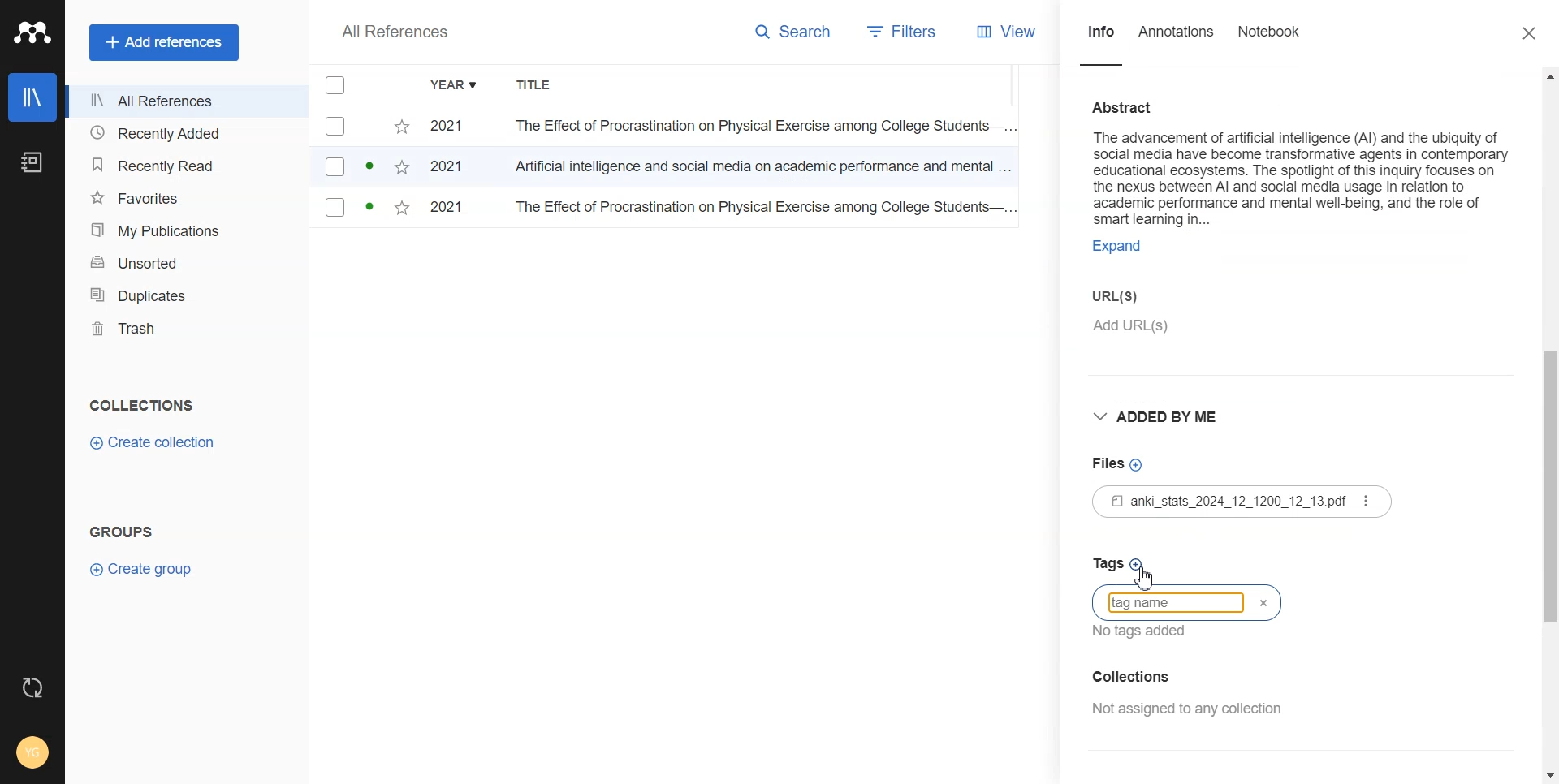  What do you see at coordinates (456, 86) in the screenshot?
I see `Year` at bounding box center [456, 86].